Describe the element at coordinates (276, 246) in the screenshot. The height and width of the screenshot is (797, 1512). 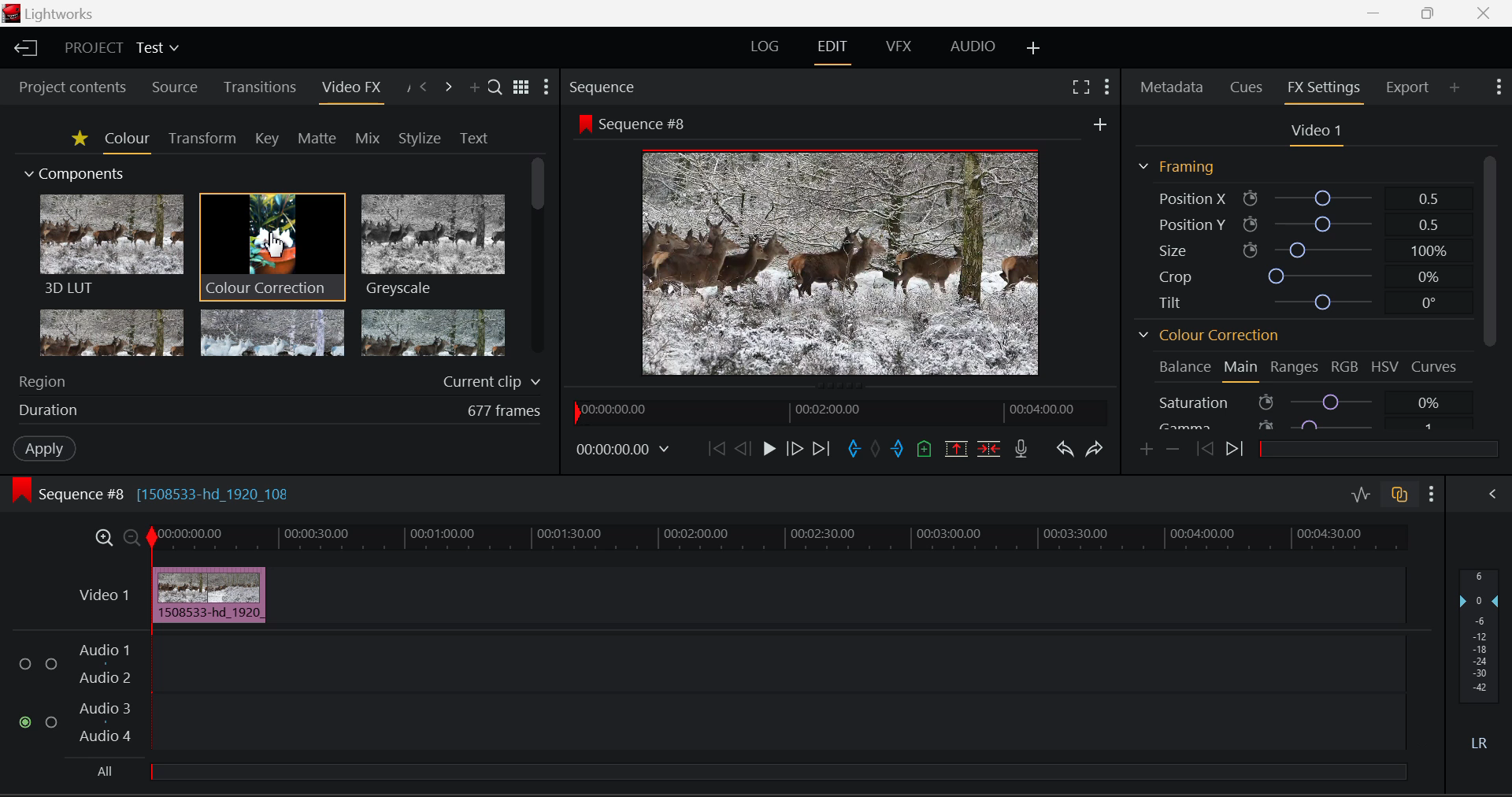
I see `Cursor` at that location.